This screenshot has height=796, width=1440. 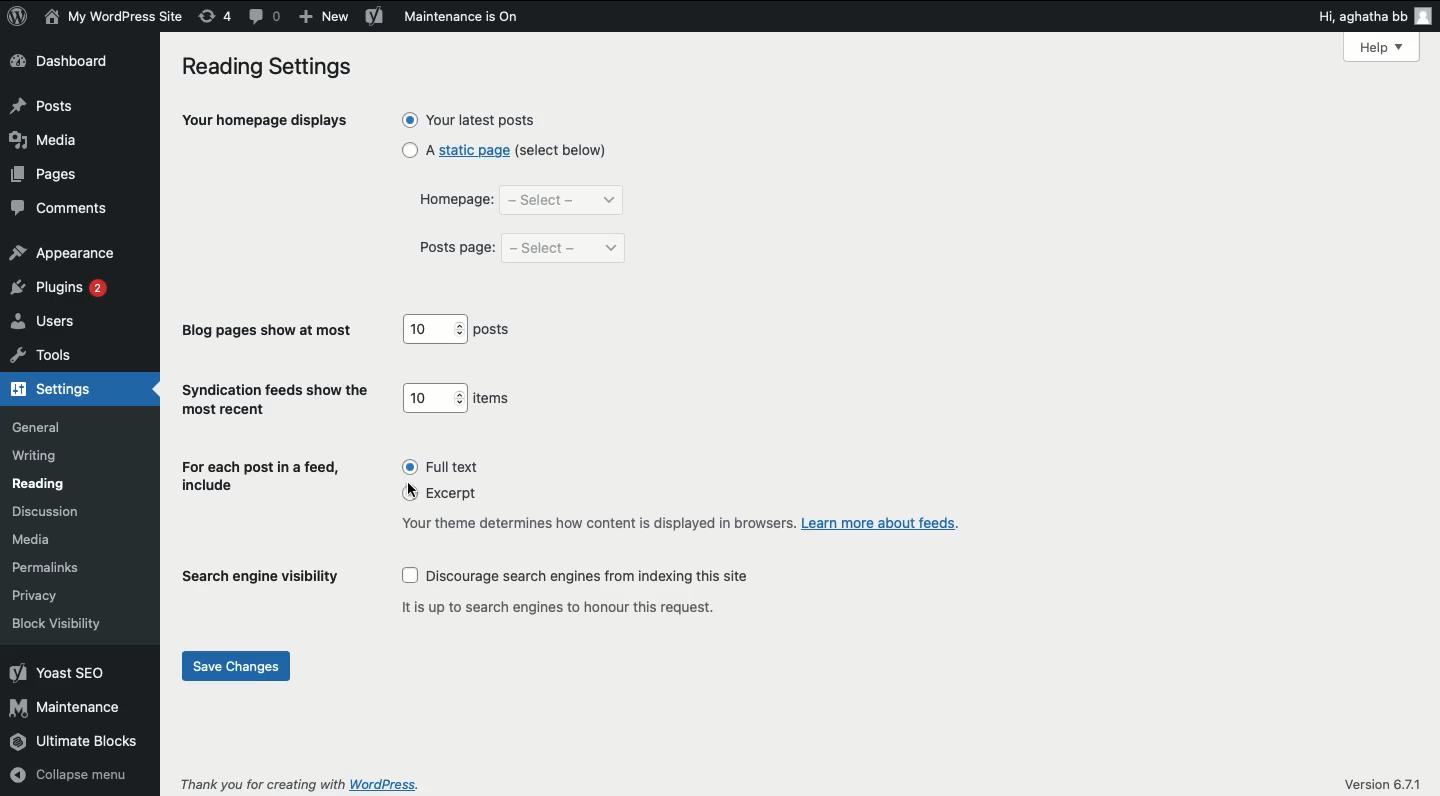 I want to click on media, so click(x=48, y=140).